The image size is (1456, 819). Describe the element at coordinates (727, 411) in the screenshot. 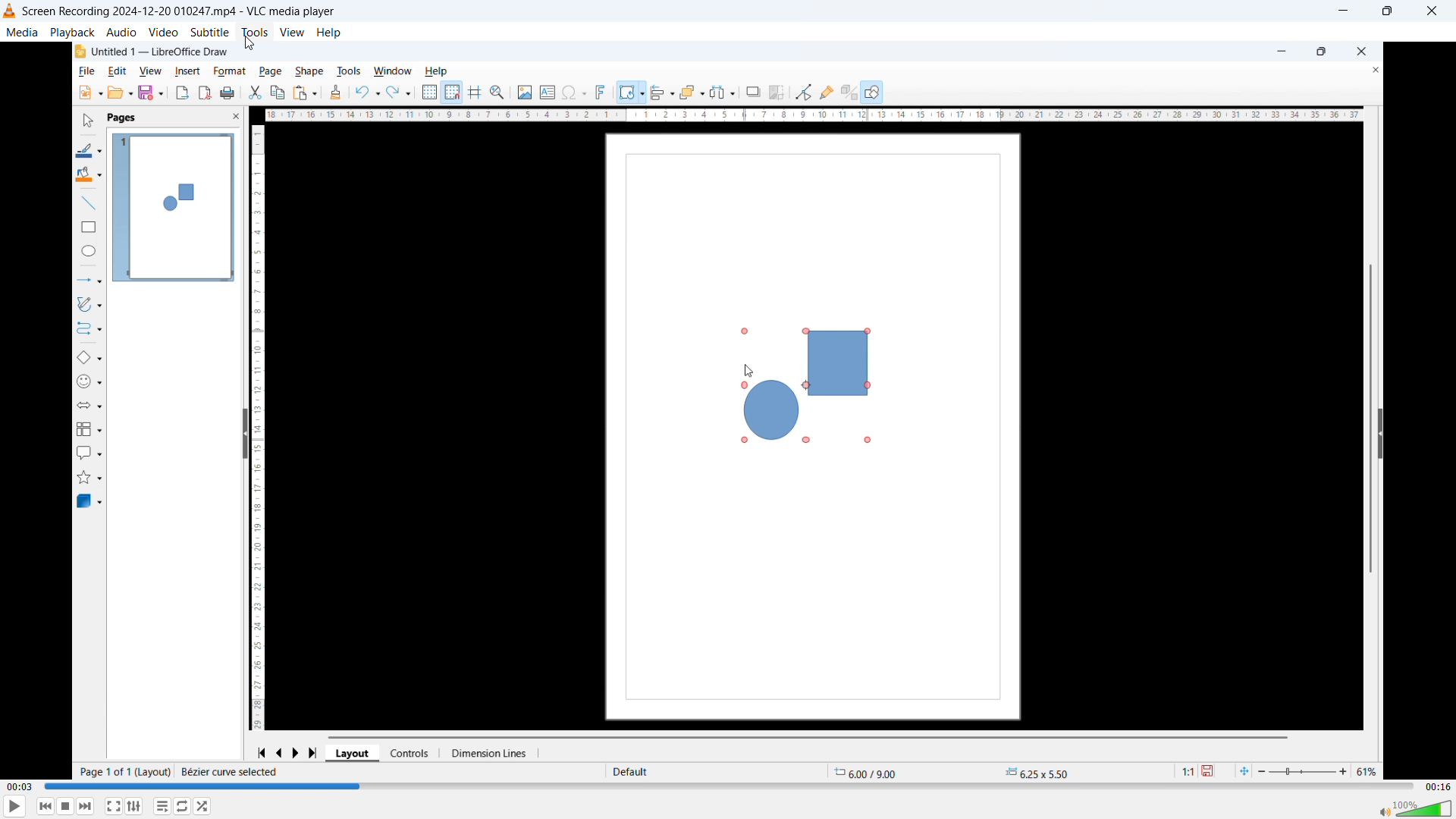

I see `Video playback ` at that location.